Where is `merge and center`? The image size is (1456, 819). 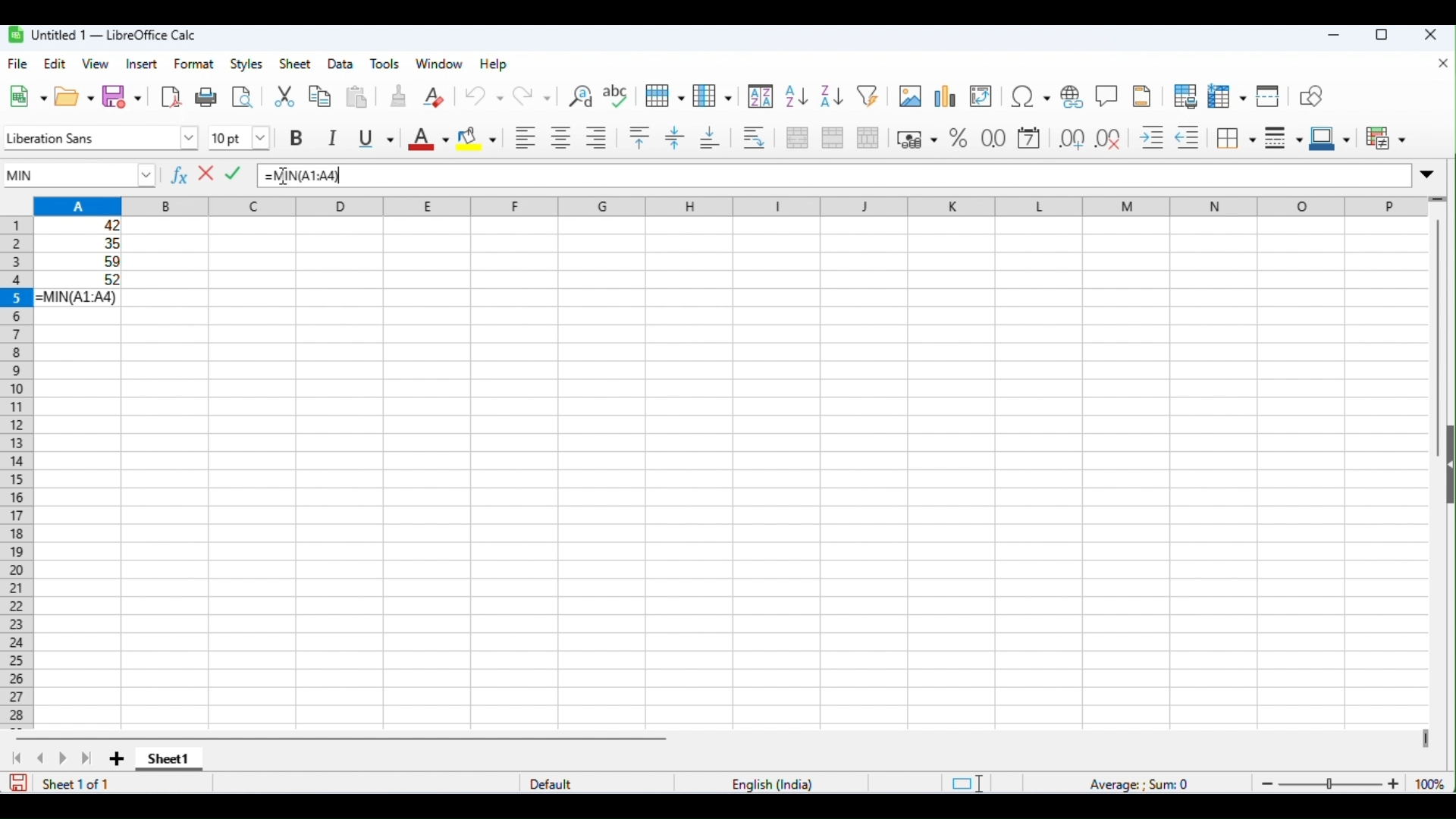 merge and center is located at coordinates (795, 137).